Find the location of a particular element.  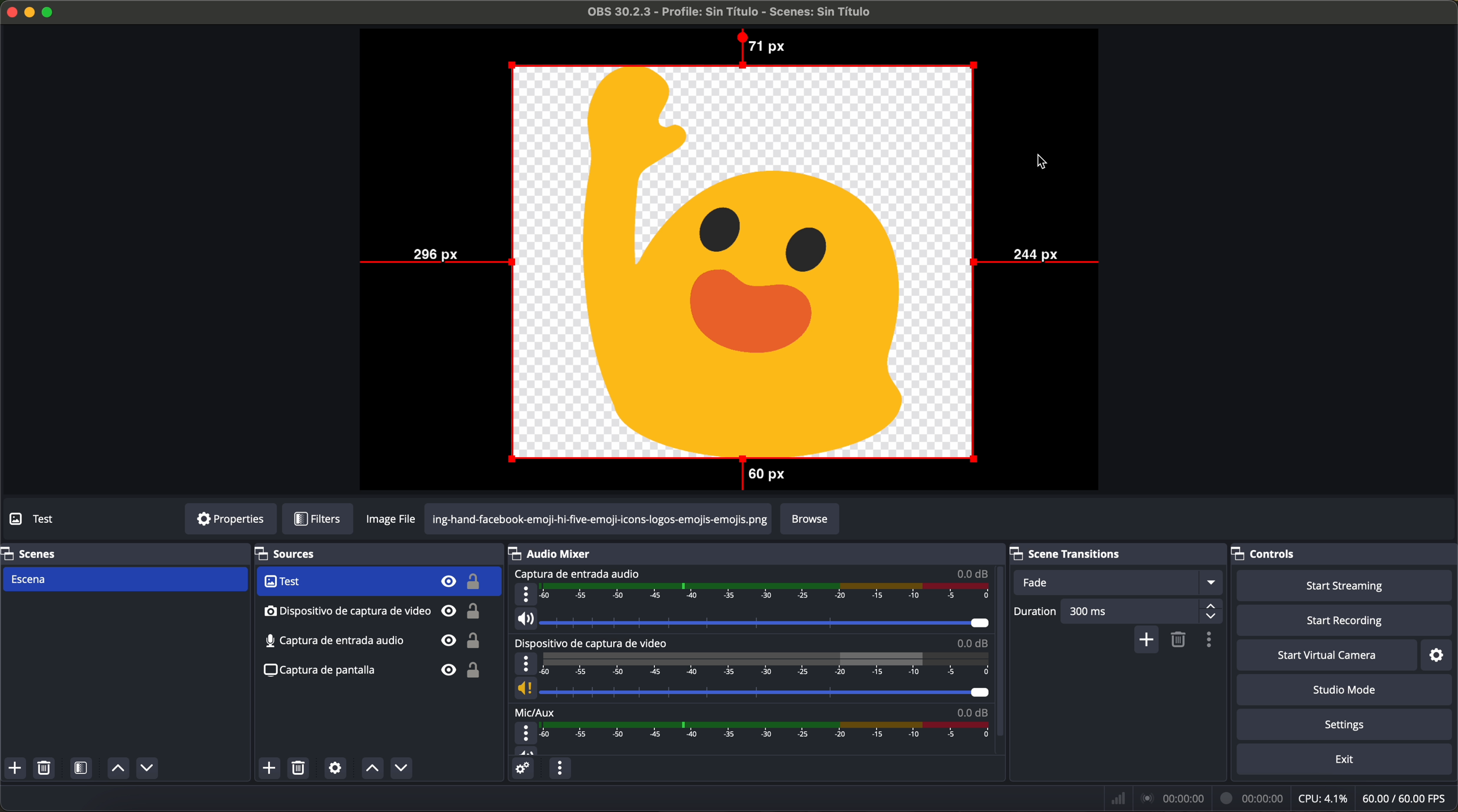

fade is located at coordinates (1116, 582).